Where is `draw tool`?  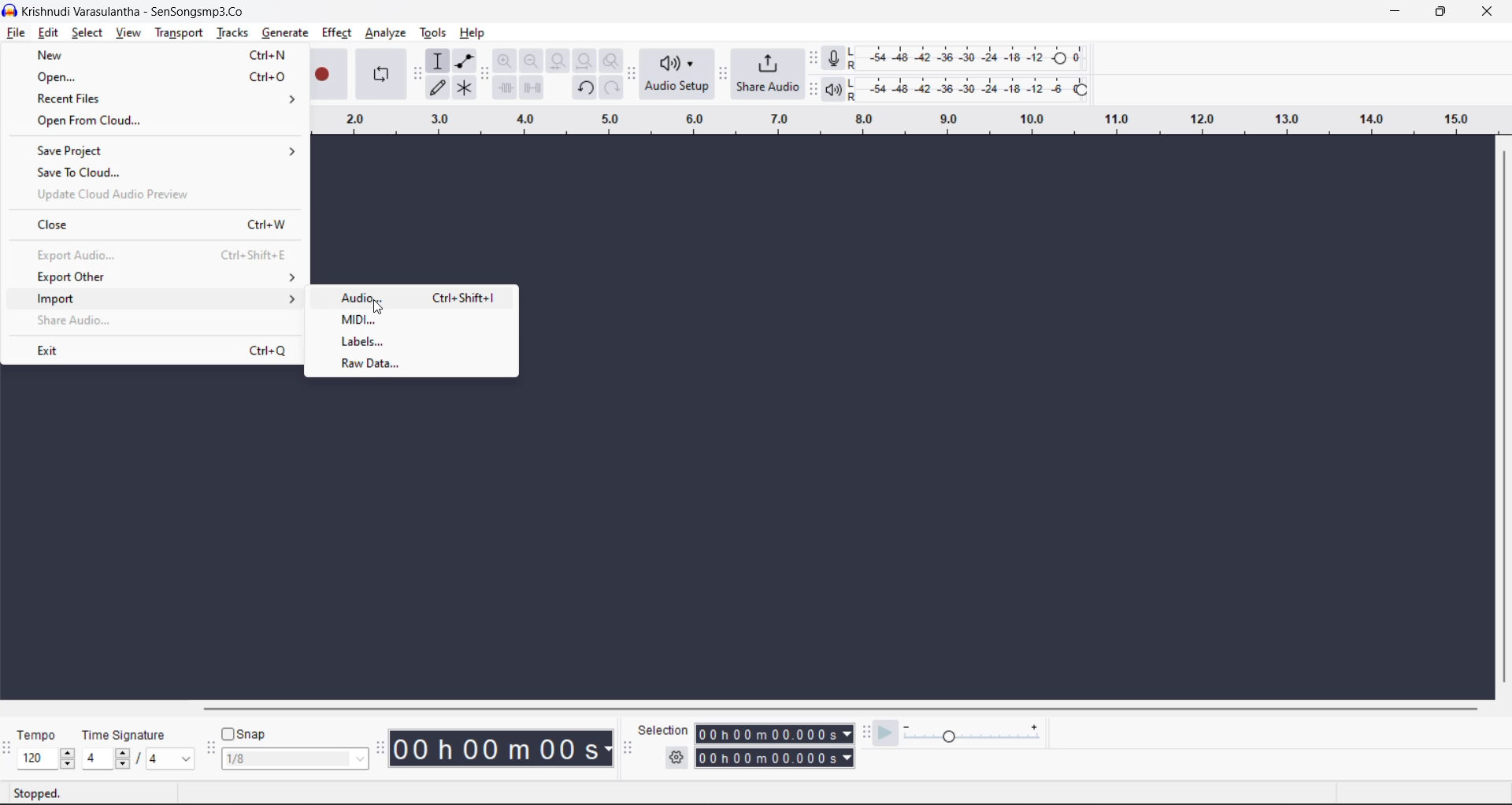 draw tool is located at coordinates (438, 90).